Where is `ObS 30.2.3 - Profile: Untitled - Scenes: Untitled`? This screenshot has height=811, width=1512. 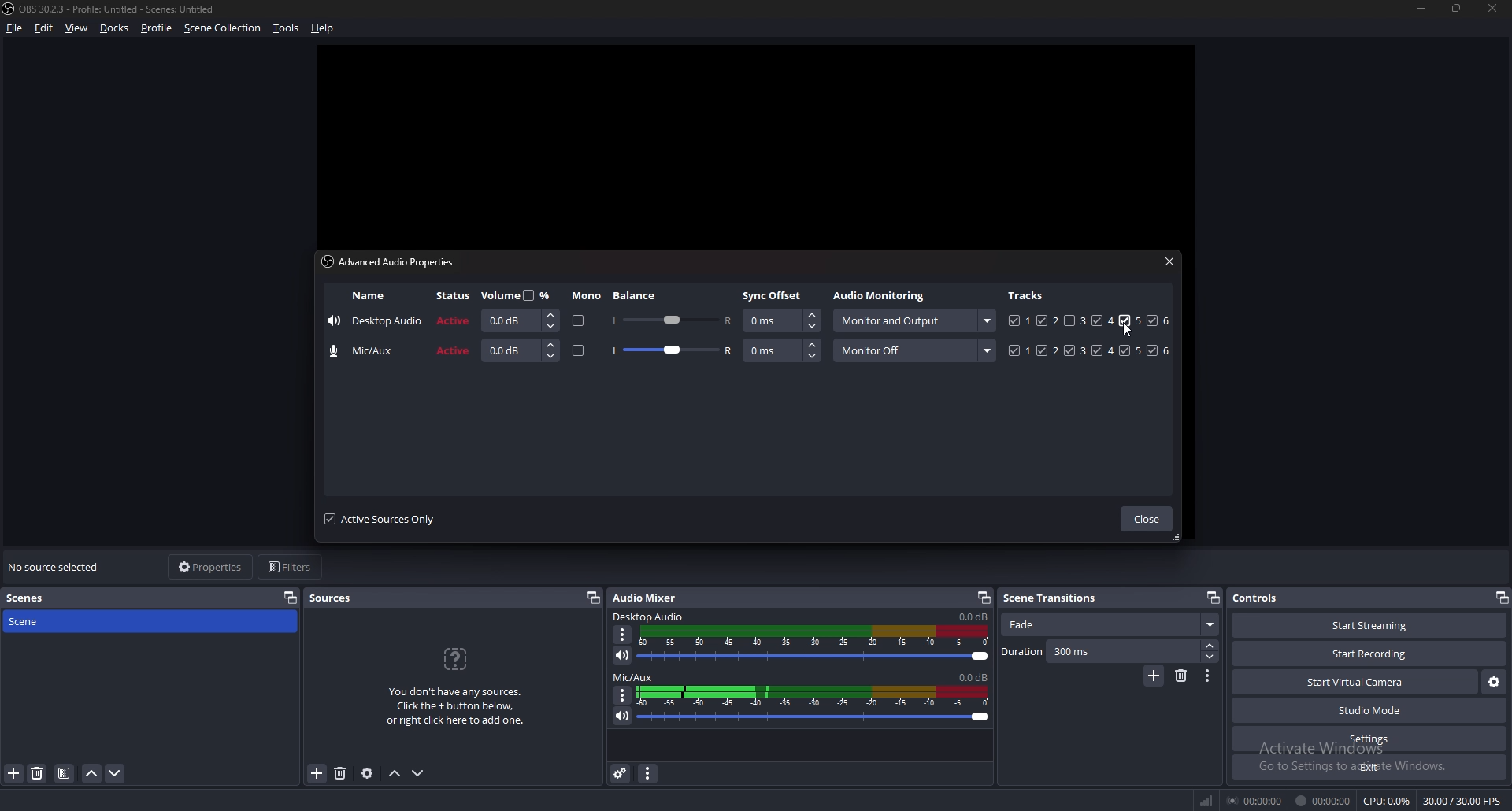 ObS 30.2.3 - Profile: Untitled - Scenes: Untitled is located at coordinates (124, 6).